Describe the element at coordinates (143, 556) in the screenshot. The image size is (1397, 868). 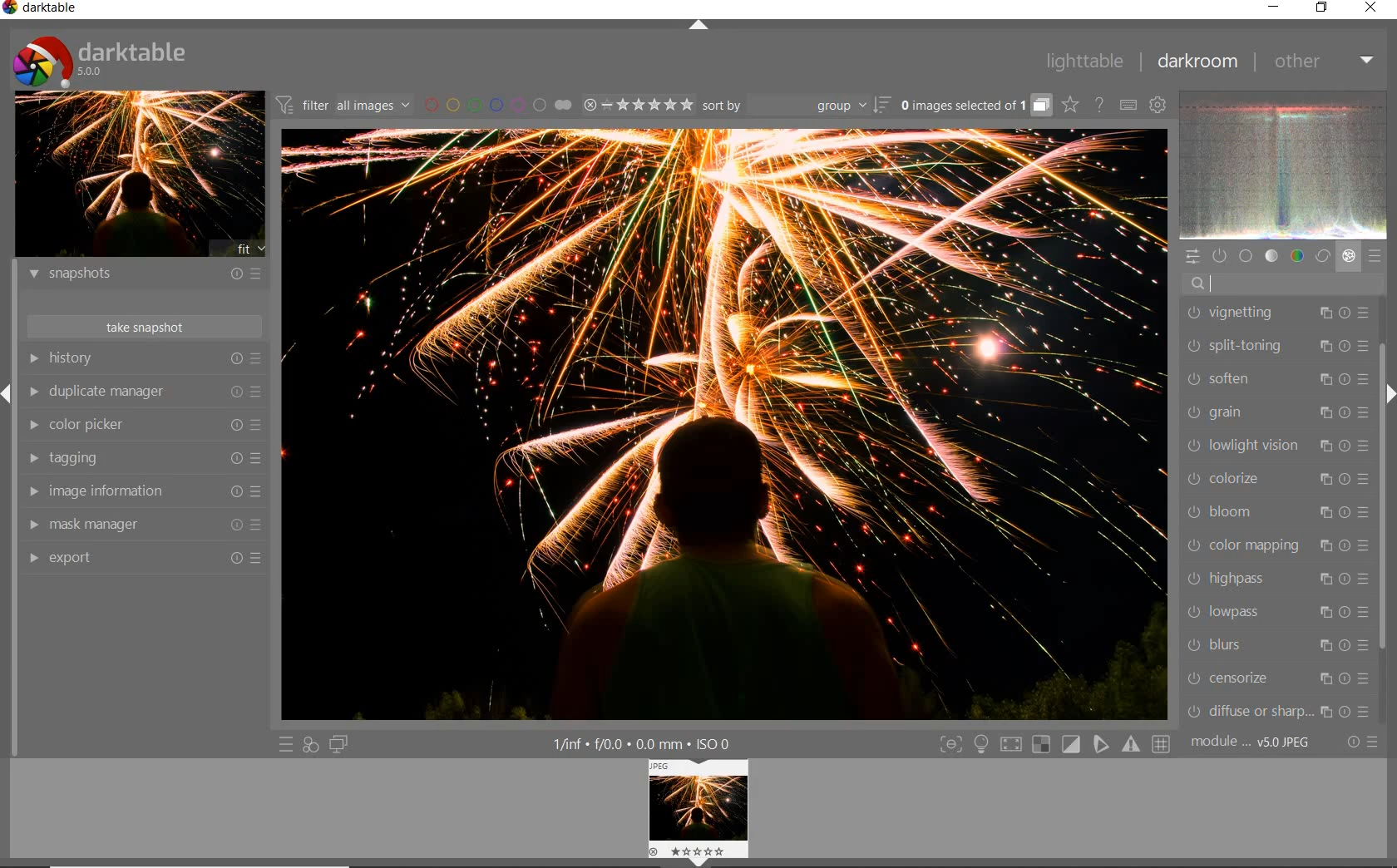
I see `export` at that location.